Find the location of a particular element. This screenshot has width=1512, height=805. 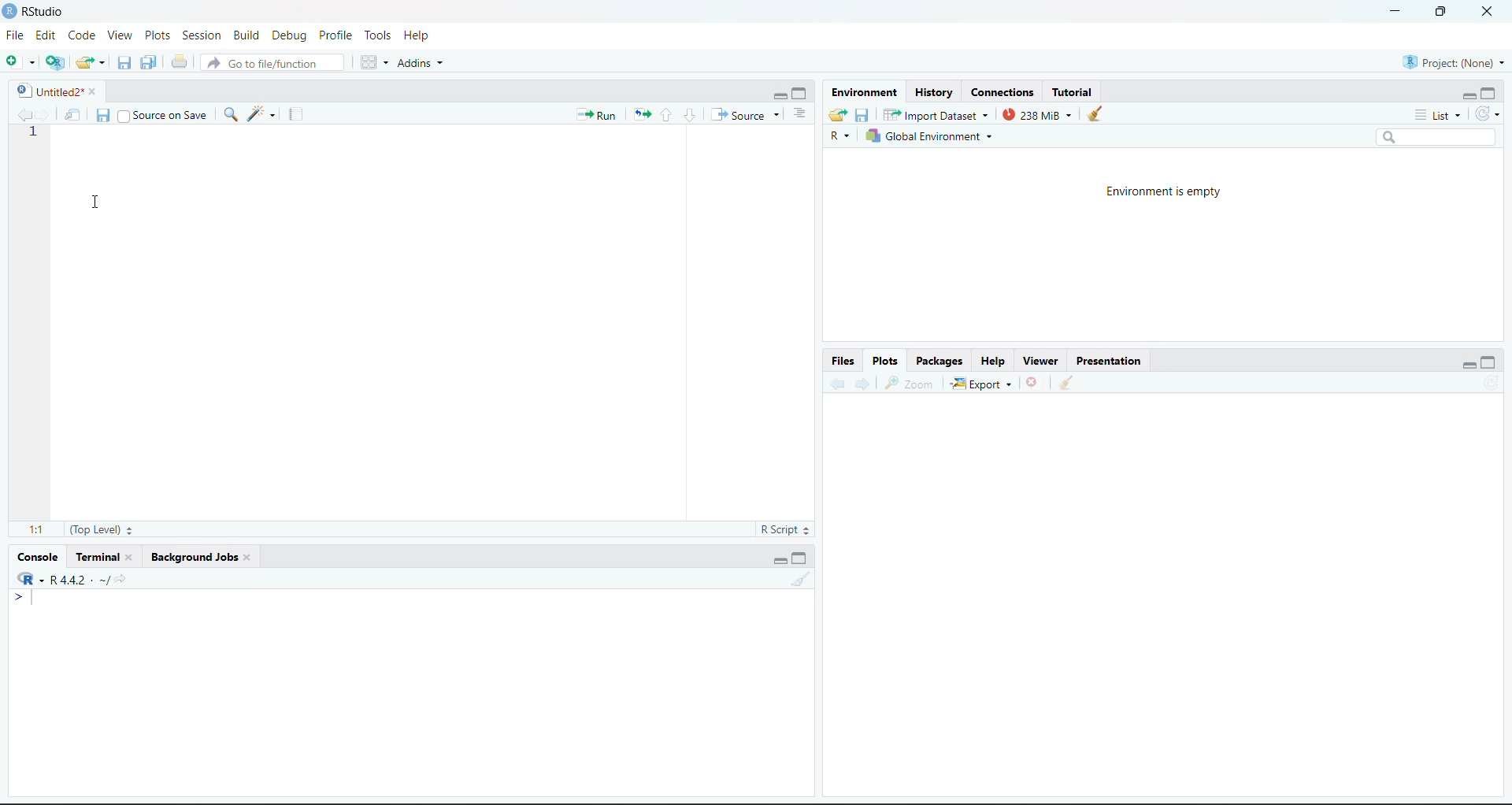

minimize is located at coordinates (778, 95).